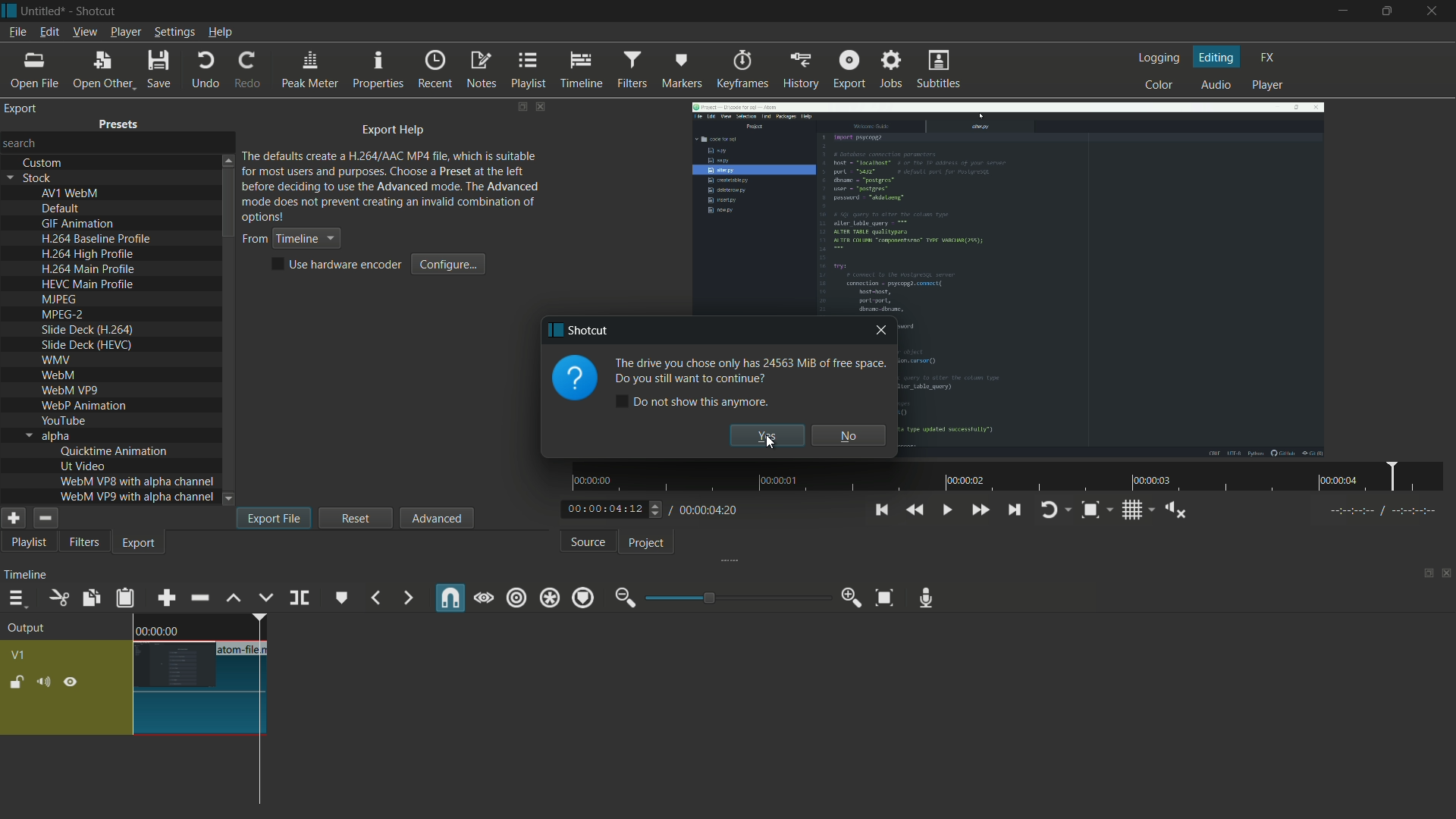 Image resolution: width=1456 pixels, height=819 pixels. What do you see at coordinates (206, 70) in the screenshot?
I see `undo` at bounding box center [206, 70].